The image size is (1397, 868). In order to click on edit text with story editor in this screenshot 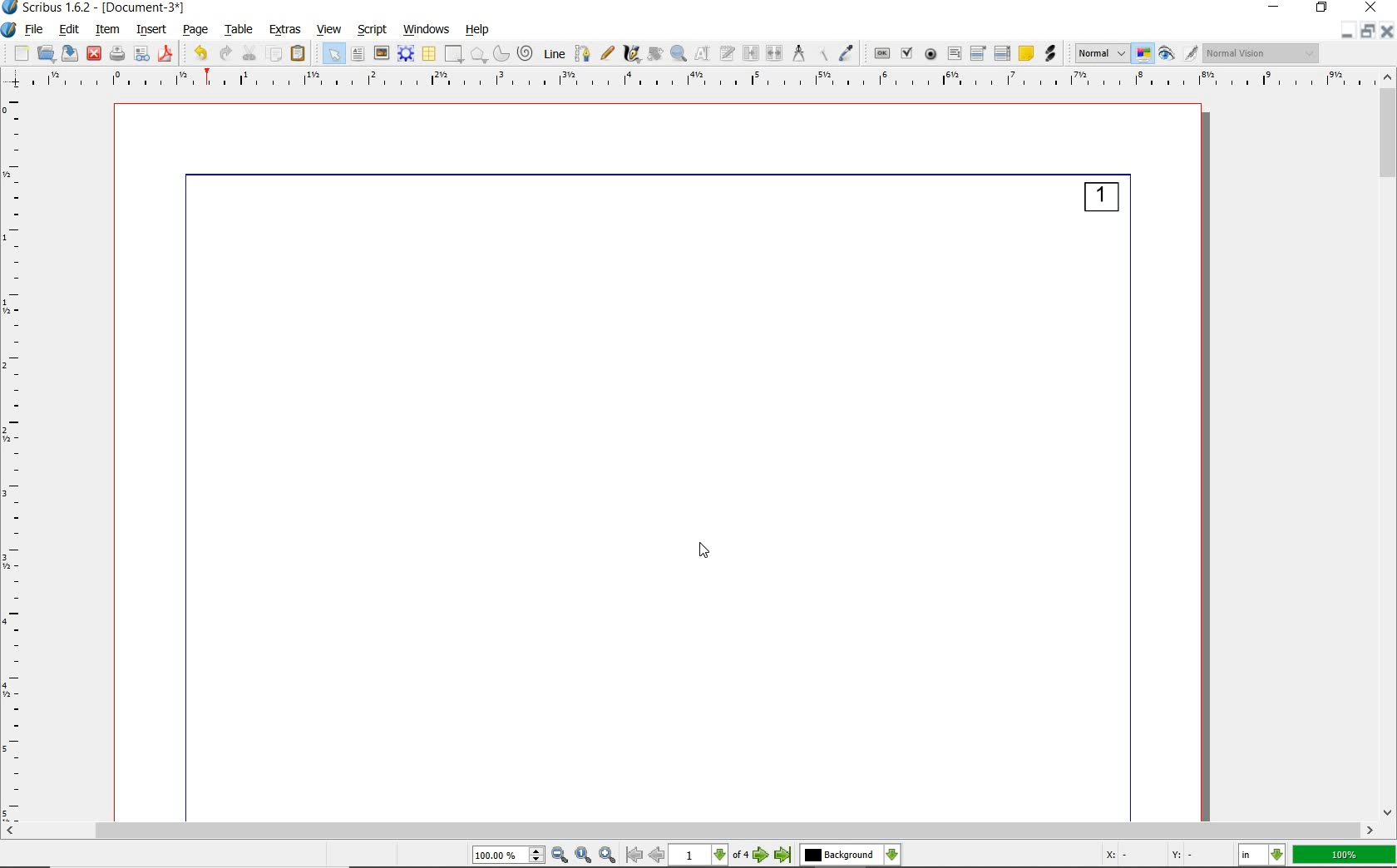, I will do `click(726, 53)`.